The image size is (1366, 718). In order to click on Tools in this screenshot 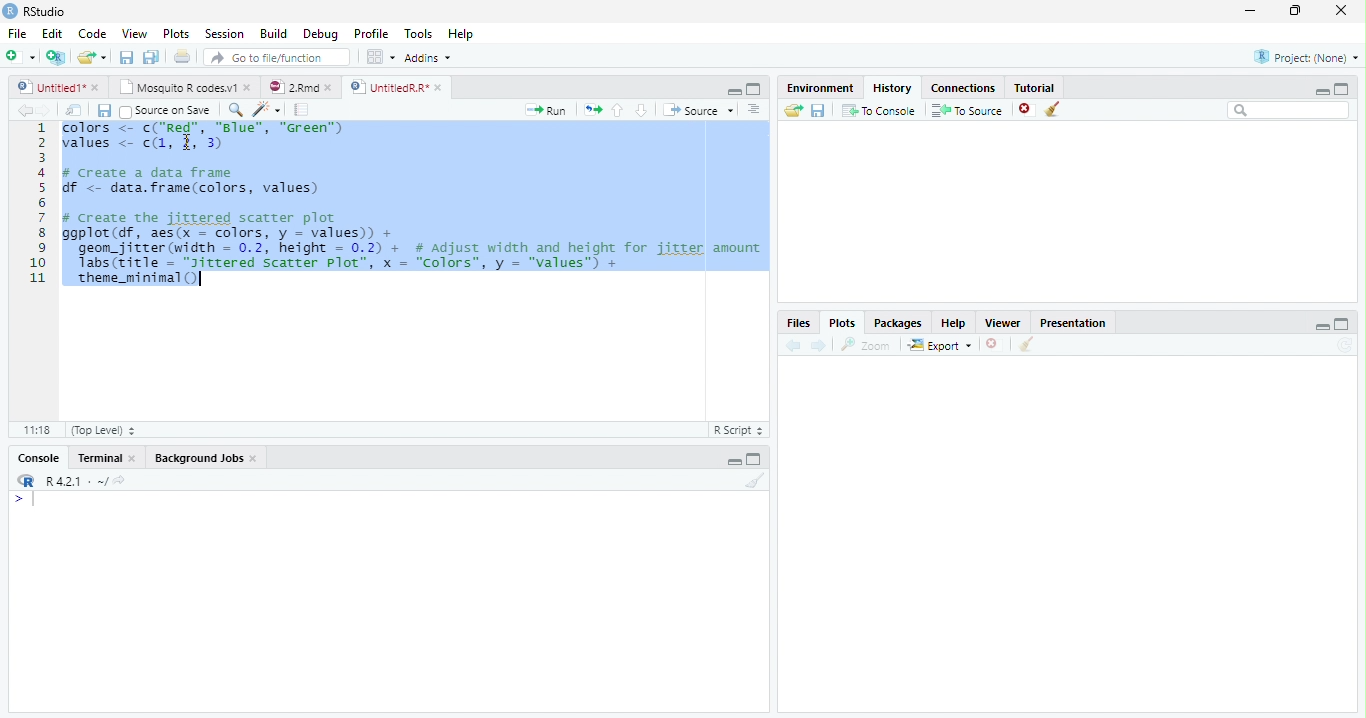, I will do `click(418, 33)`.